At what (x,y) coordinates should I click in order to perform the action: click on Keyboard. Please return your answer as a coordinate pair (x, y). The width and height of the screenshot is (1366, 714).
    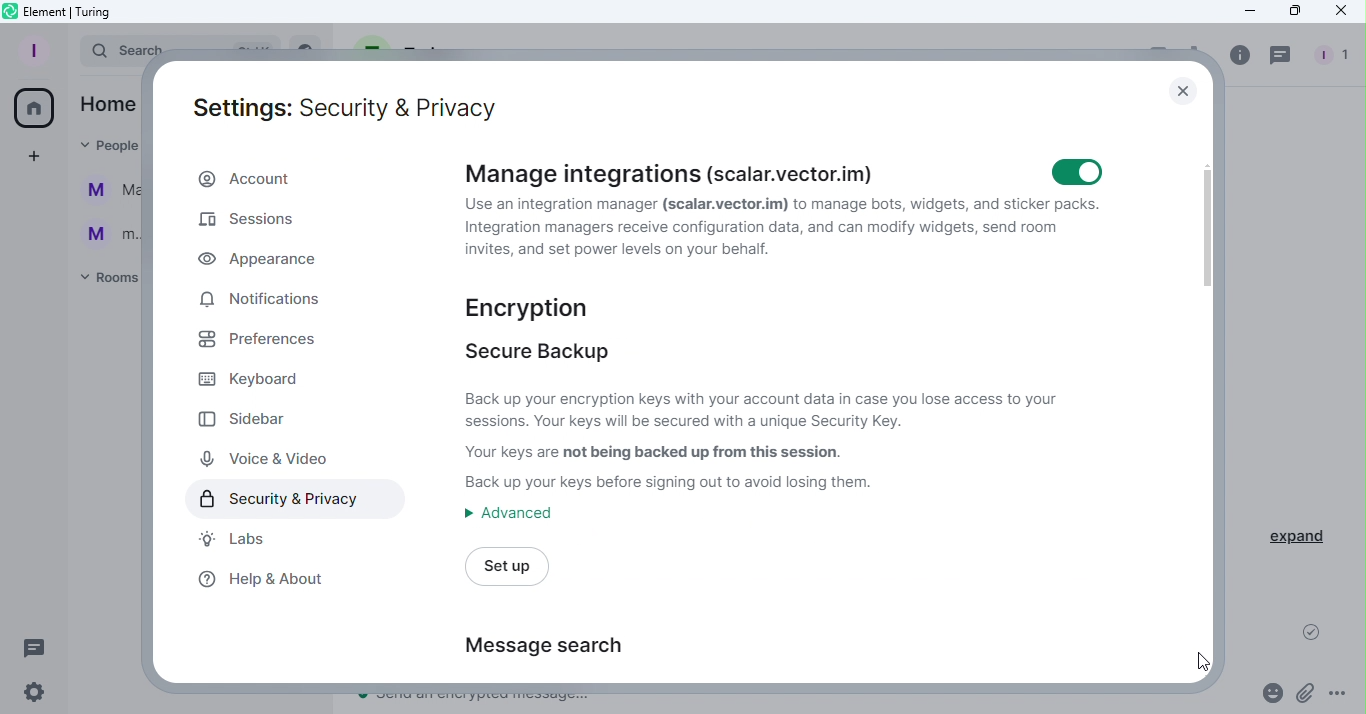
    Looking at the image, I should click on (258, 382).